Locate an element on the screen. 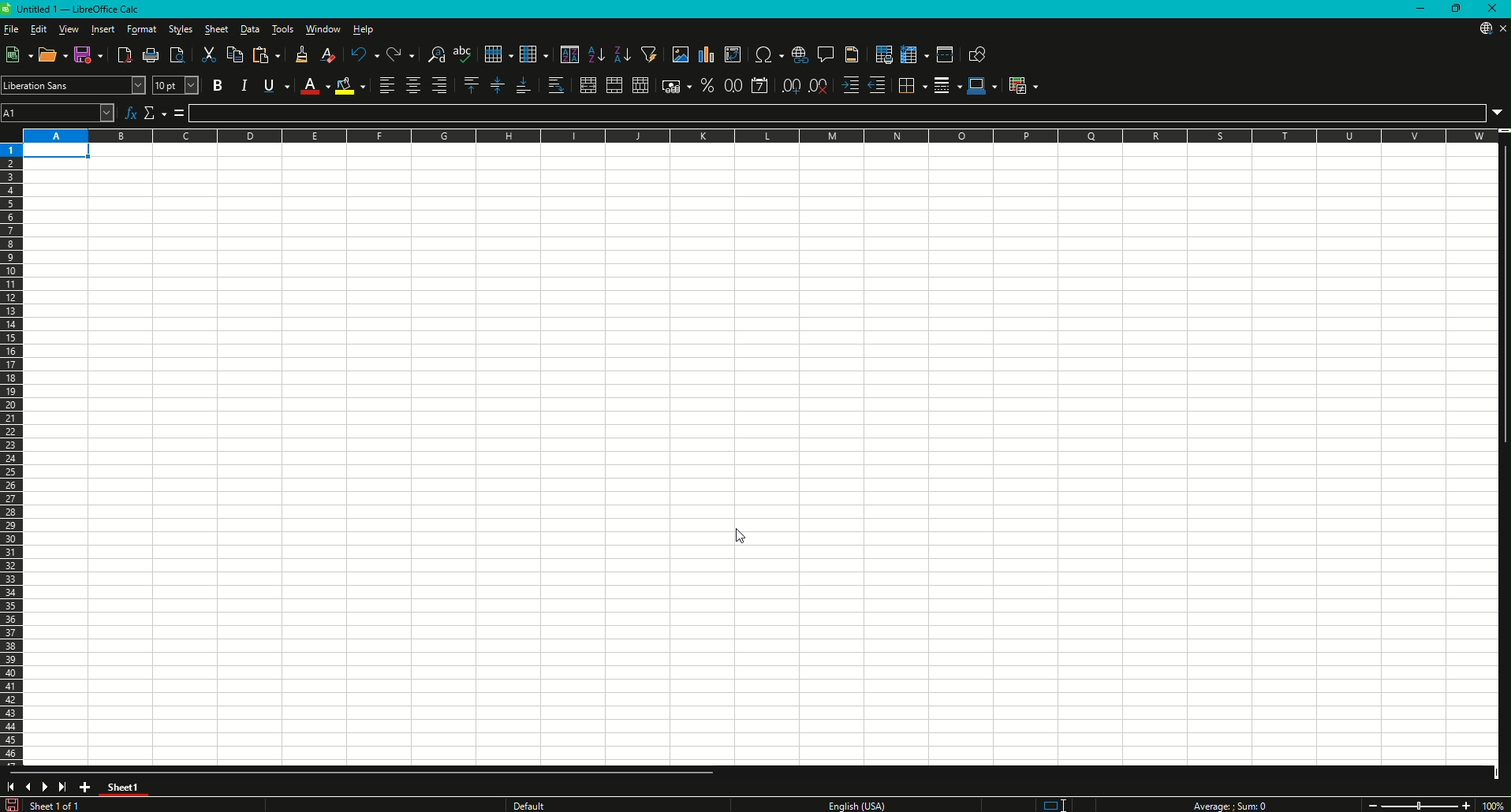 The height and width of the screenshot is (812, 1511). Add Decimal Place is located at coordinates (790, 85).